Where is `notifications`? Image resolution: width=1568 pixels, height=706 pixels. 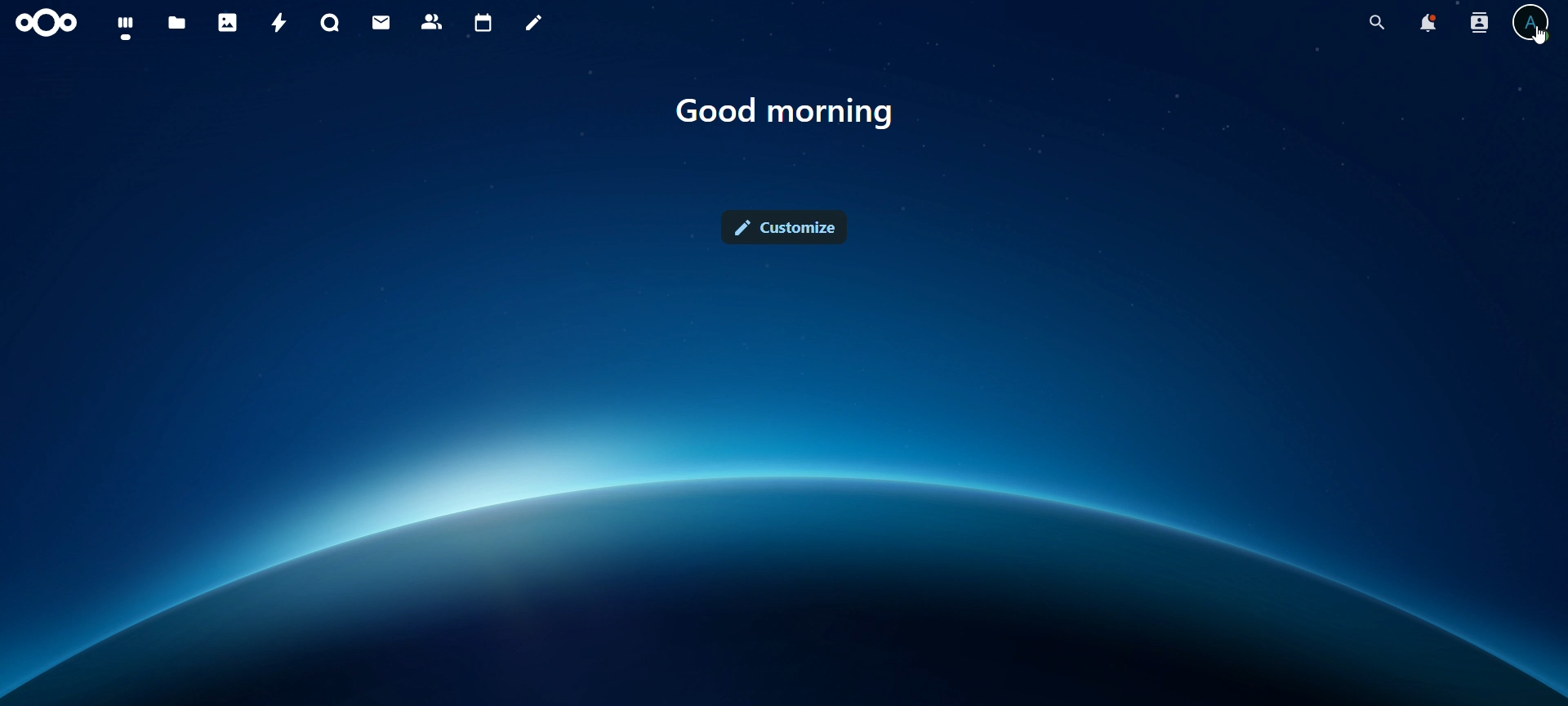 notifications is located at coordinates (1428, 23).